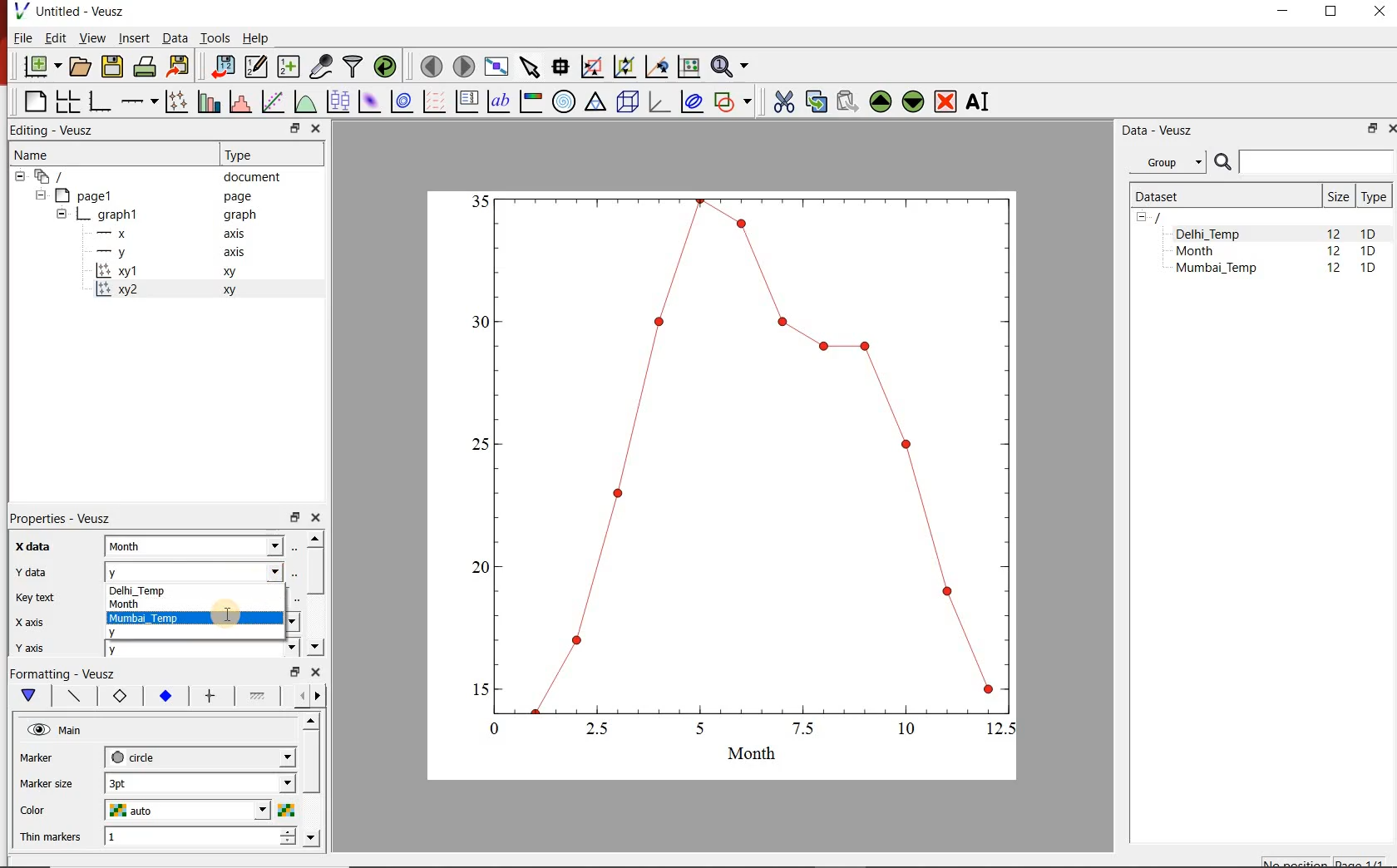 The width and height of the screenshot is (1397, 868). Describe the element at coordinates (496, 67) in the screenshot. I see `view plot full screen` at that location.